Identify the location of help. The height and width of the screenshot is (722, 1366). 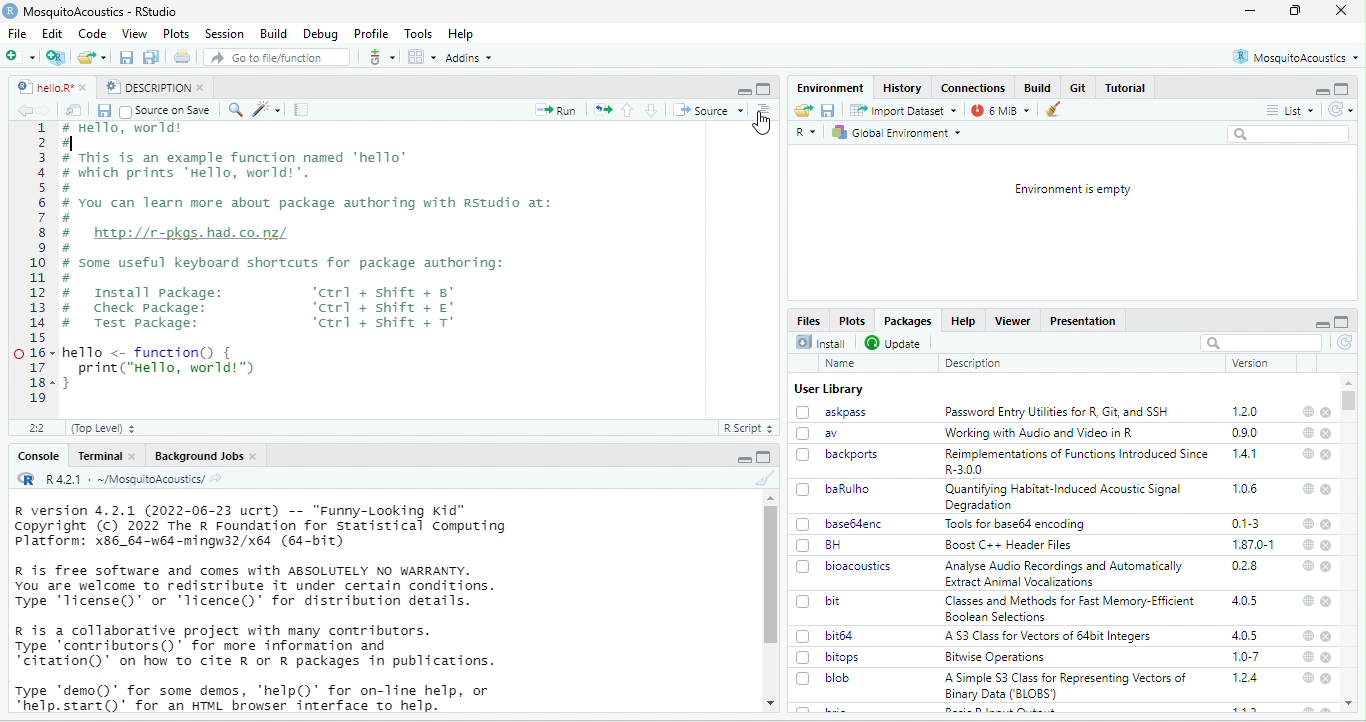
(1306, 434).